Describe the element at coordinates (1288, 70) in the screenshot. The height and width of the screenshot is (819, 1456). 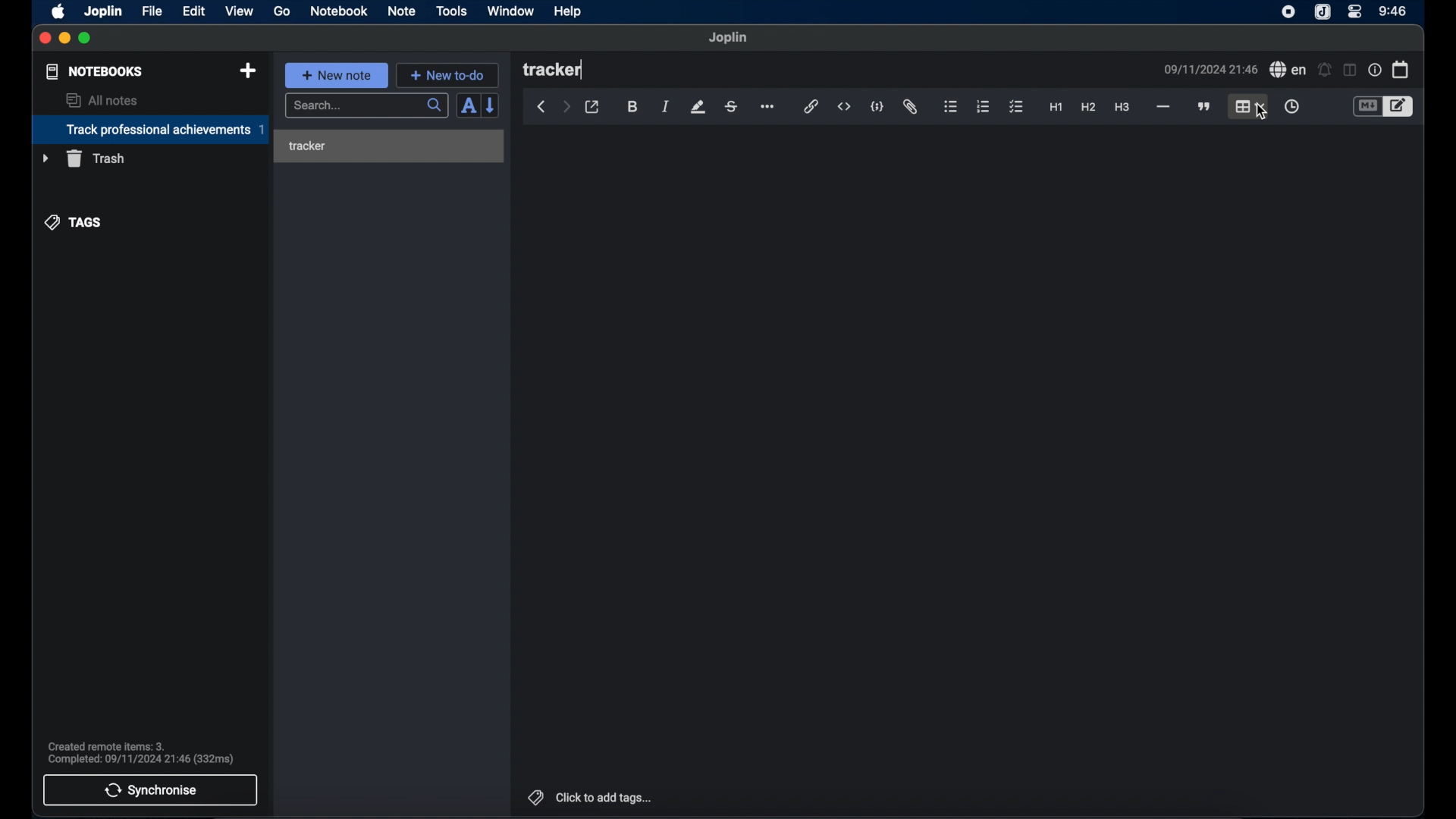
I see `spell check` at that location.